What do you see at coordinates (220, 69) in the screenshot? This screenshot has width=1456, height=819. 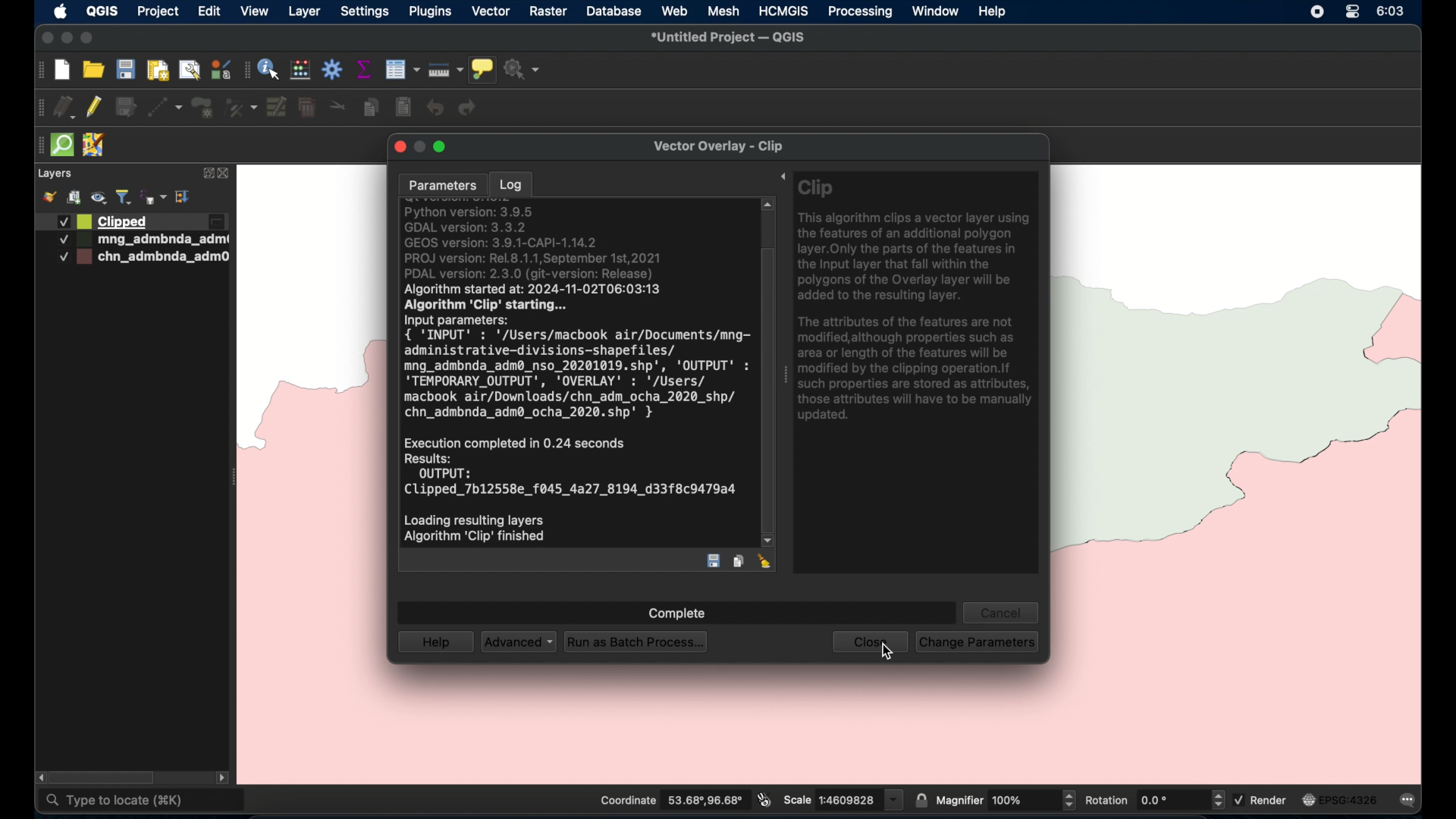 I see `styling manager` at bounding box center [220, 69].